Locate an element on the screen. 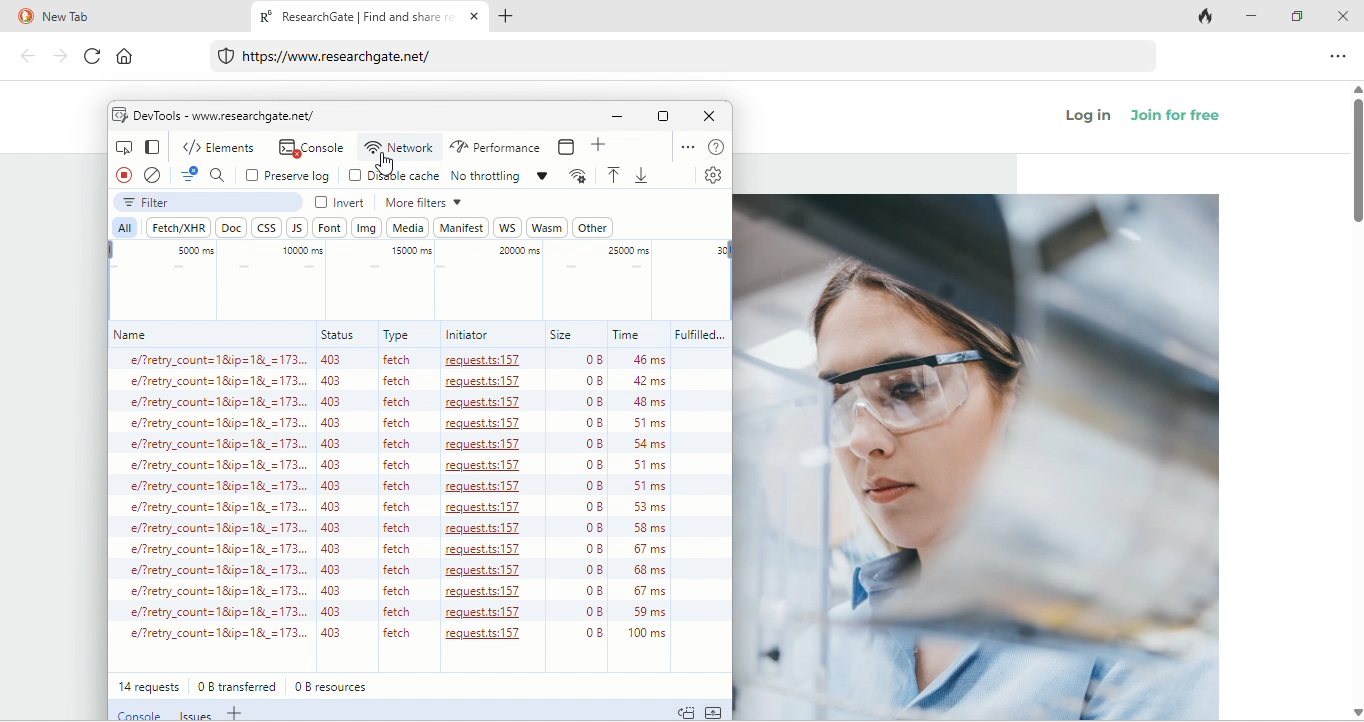  reload is located at coordinates (88, 57).